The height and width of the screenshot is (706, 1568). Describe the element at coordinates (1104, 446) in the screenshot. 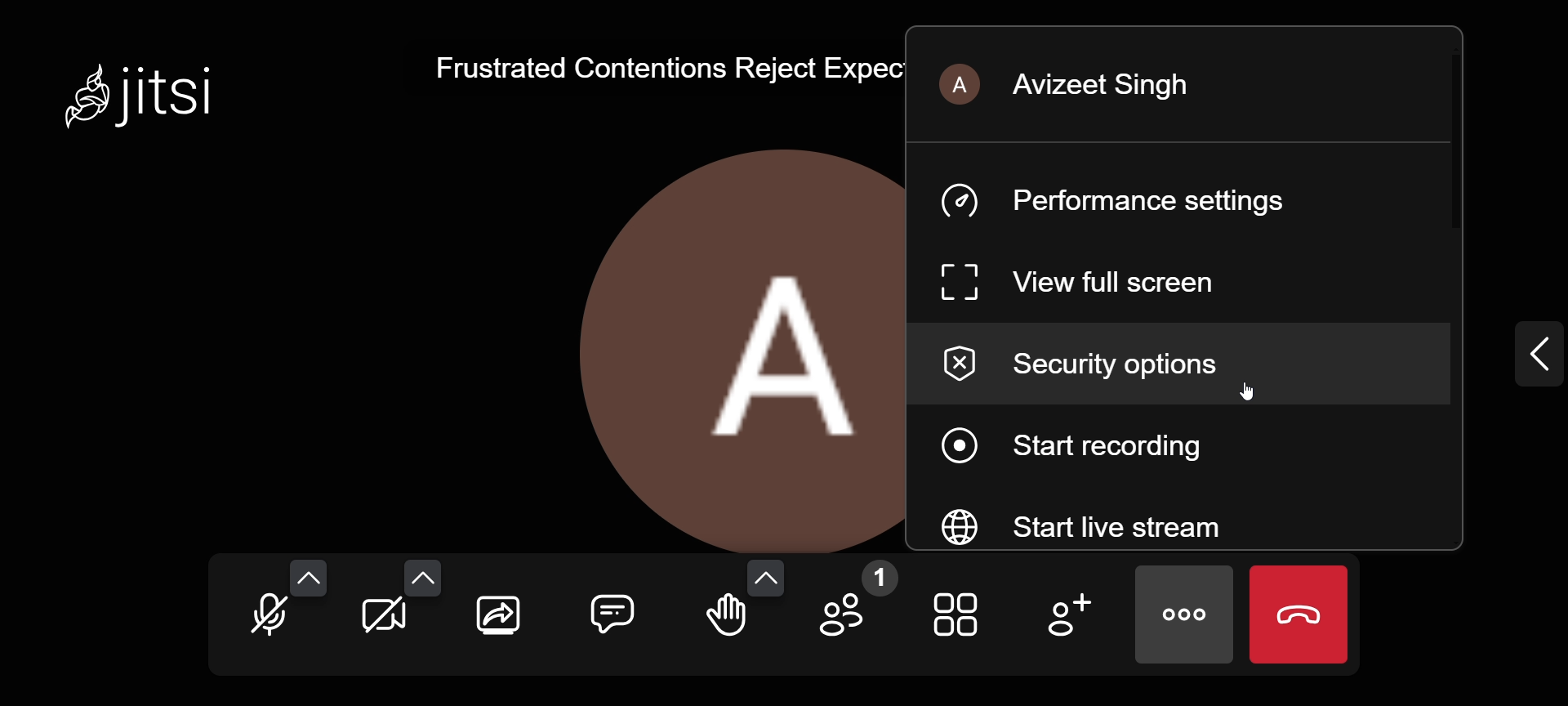

I see `start recording` at that location.